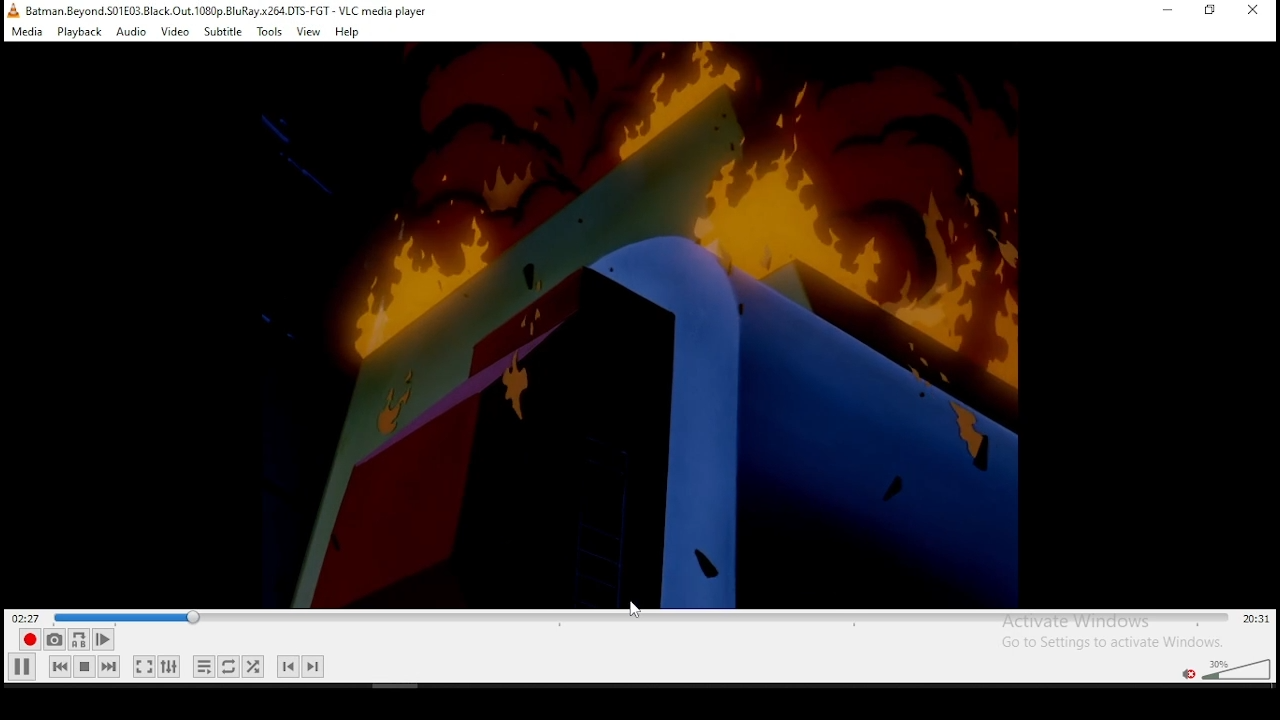 This screenshot has width=1280, height=720. Describe the element at coordinates (220, 9) in the screenshot. I see `icon and file name` at that location.